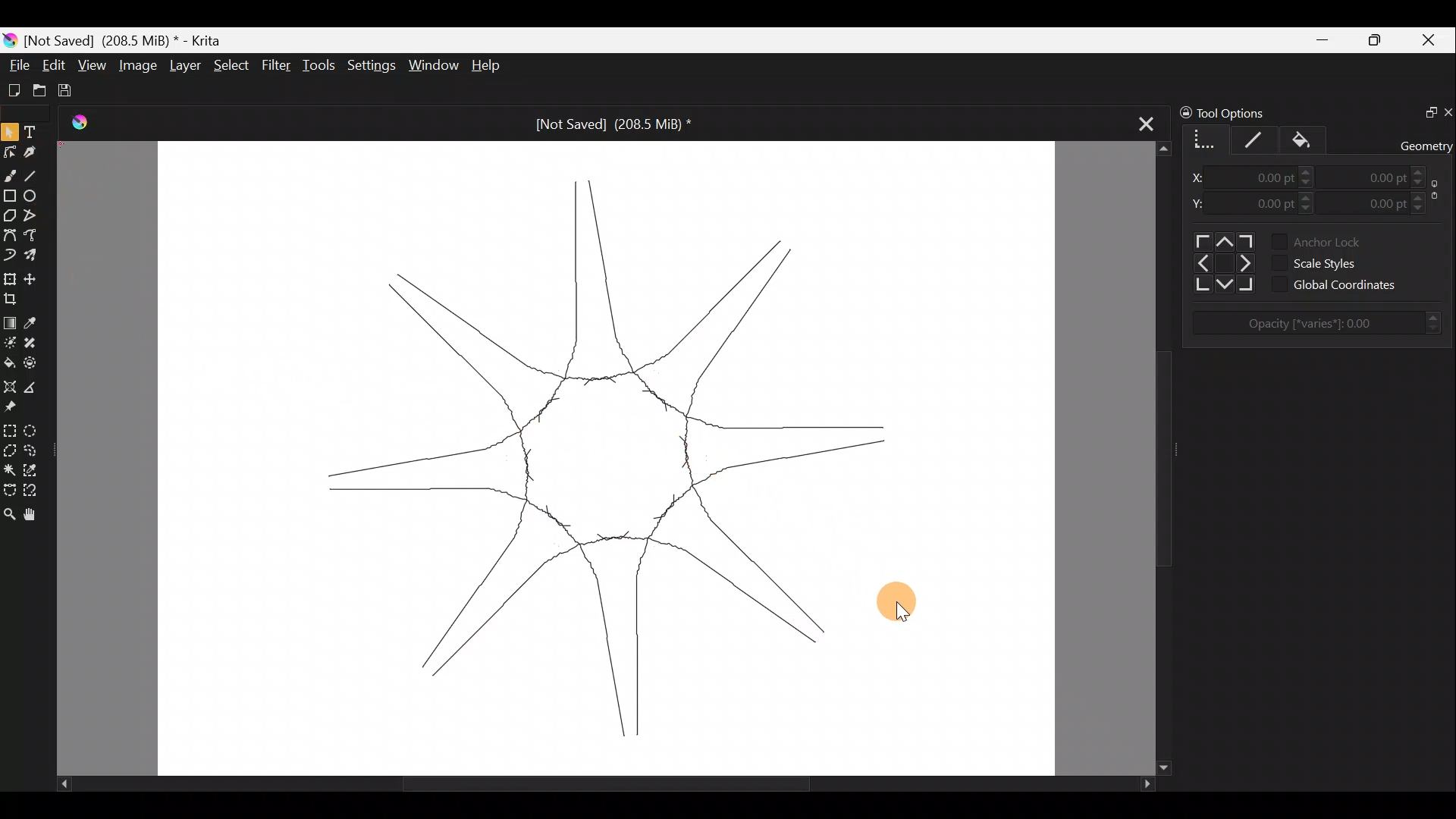  I want to click on Edit, so click(54, 66).